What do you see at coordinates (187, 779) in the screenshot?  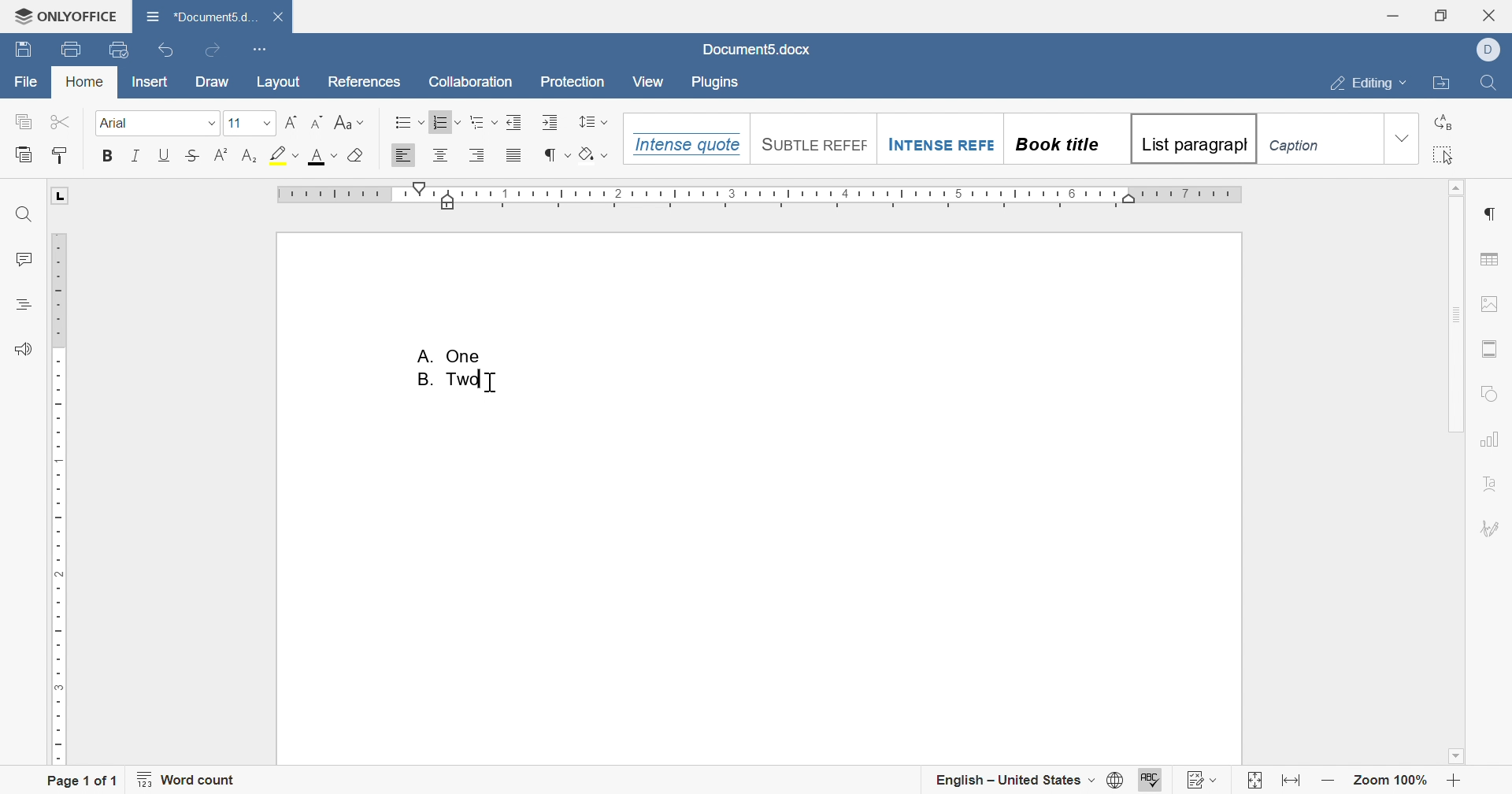 I see `word count` at bounding box center [187, 779].